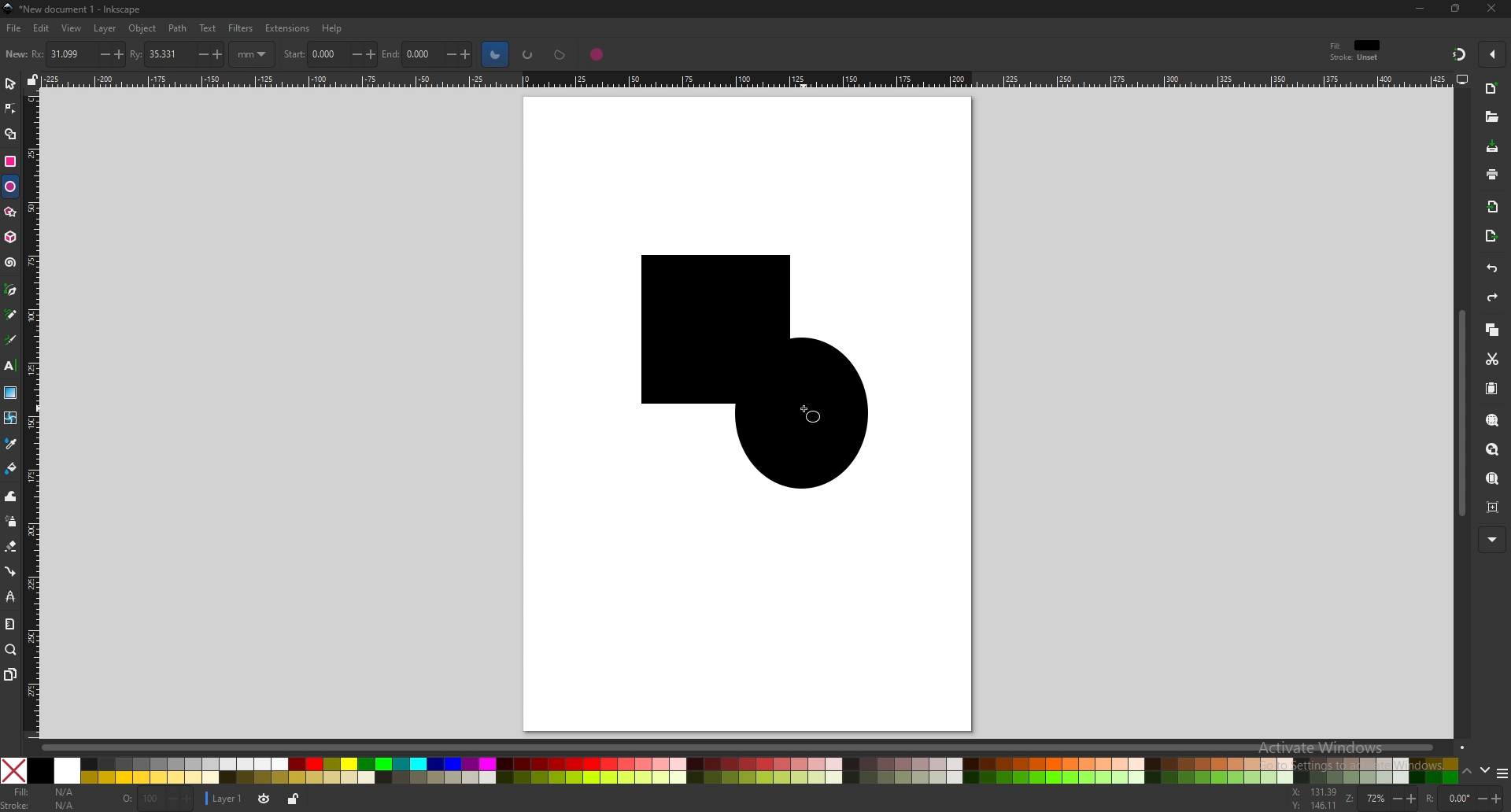 Image resolution: width=1511 pixels, height=812 pixels. Describe the element at coordinates (737, 372) in the screenshot. I see `shapes` at that location.